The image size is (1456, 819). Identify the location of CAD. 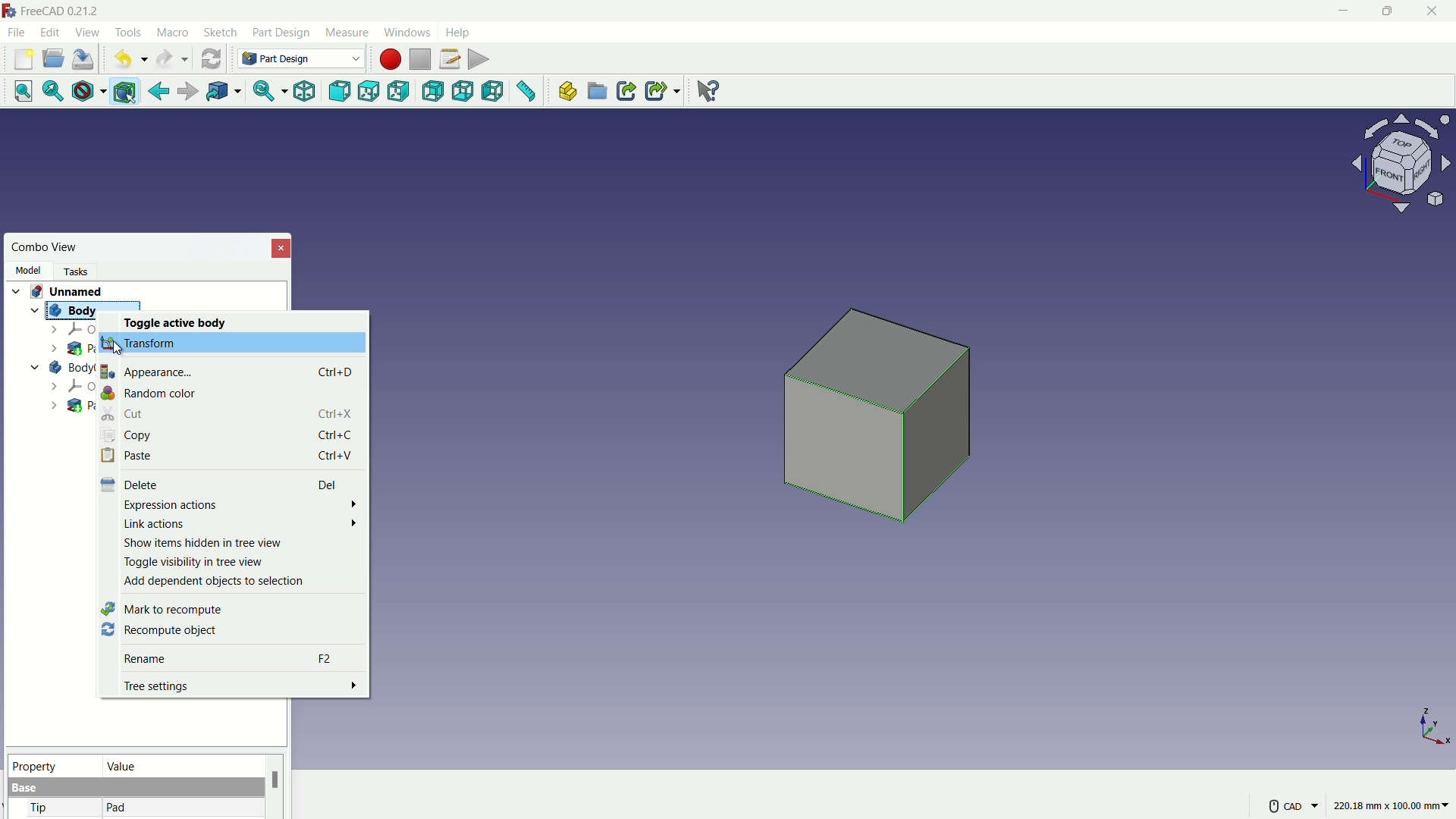
(1291, 805).